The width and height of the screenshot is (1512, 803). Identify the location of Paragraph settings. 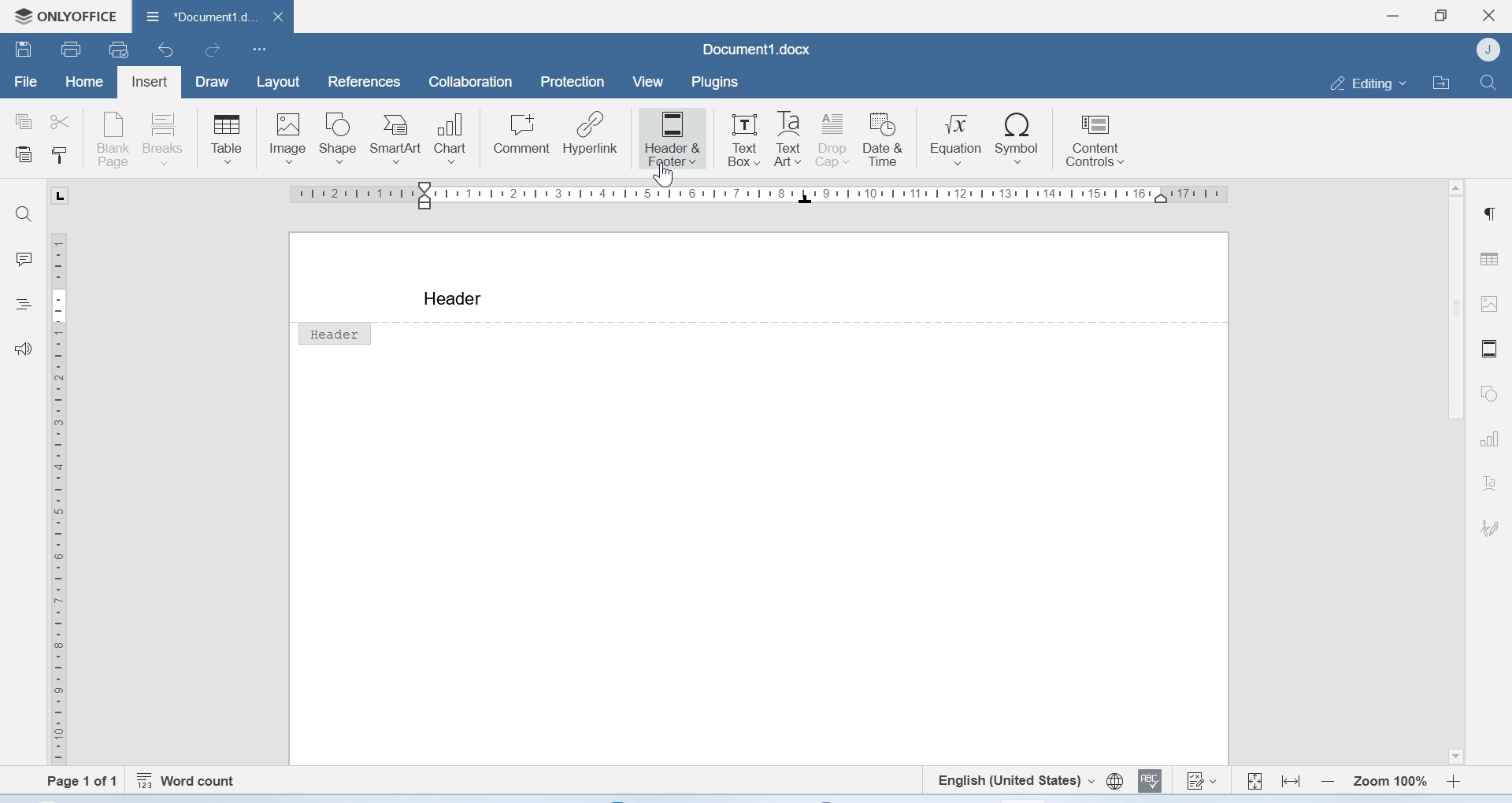
(1492, 214).